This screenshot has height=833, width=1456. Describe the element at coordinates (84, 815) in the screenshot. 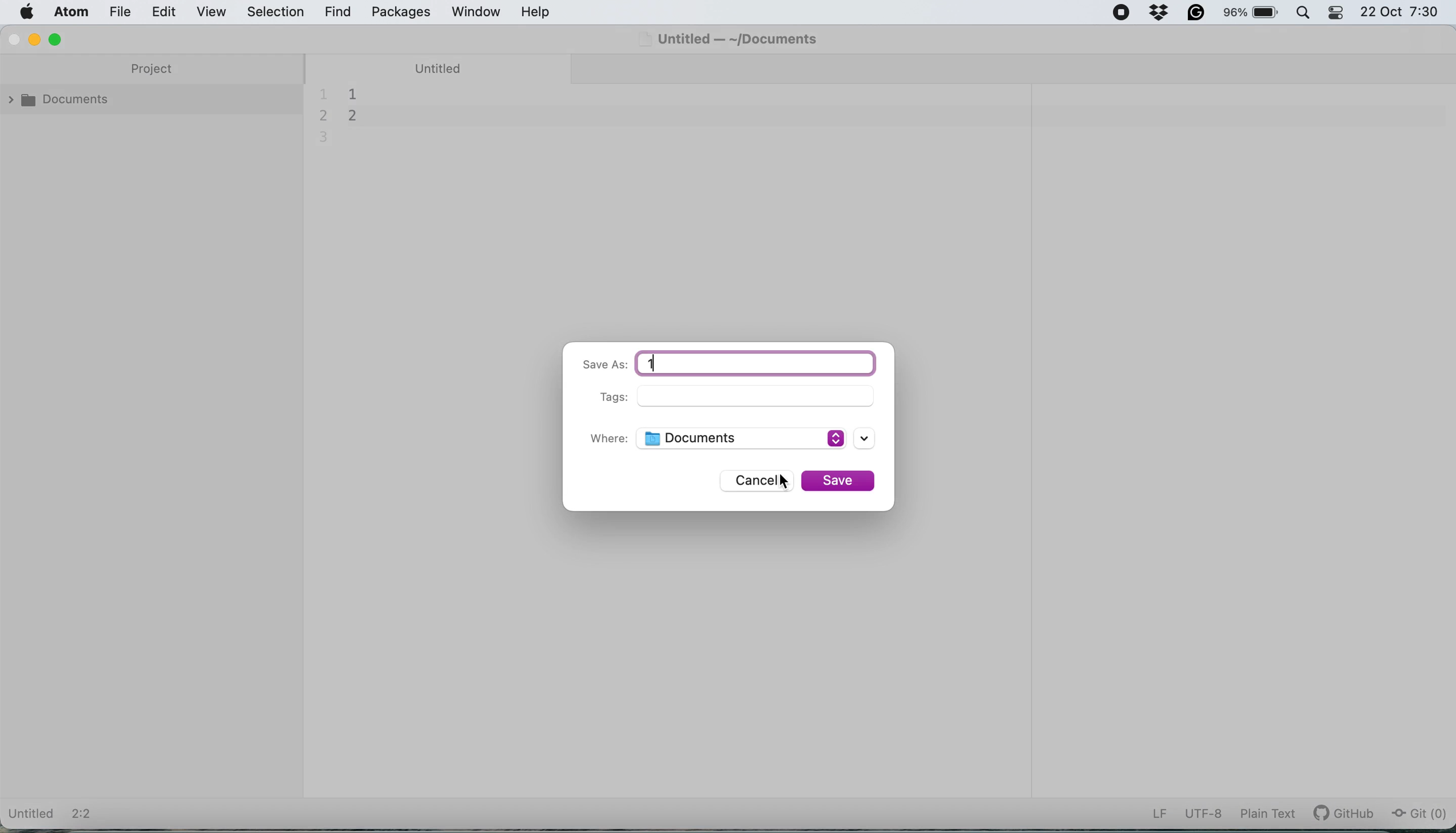

I see `2:2` at that location.